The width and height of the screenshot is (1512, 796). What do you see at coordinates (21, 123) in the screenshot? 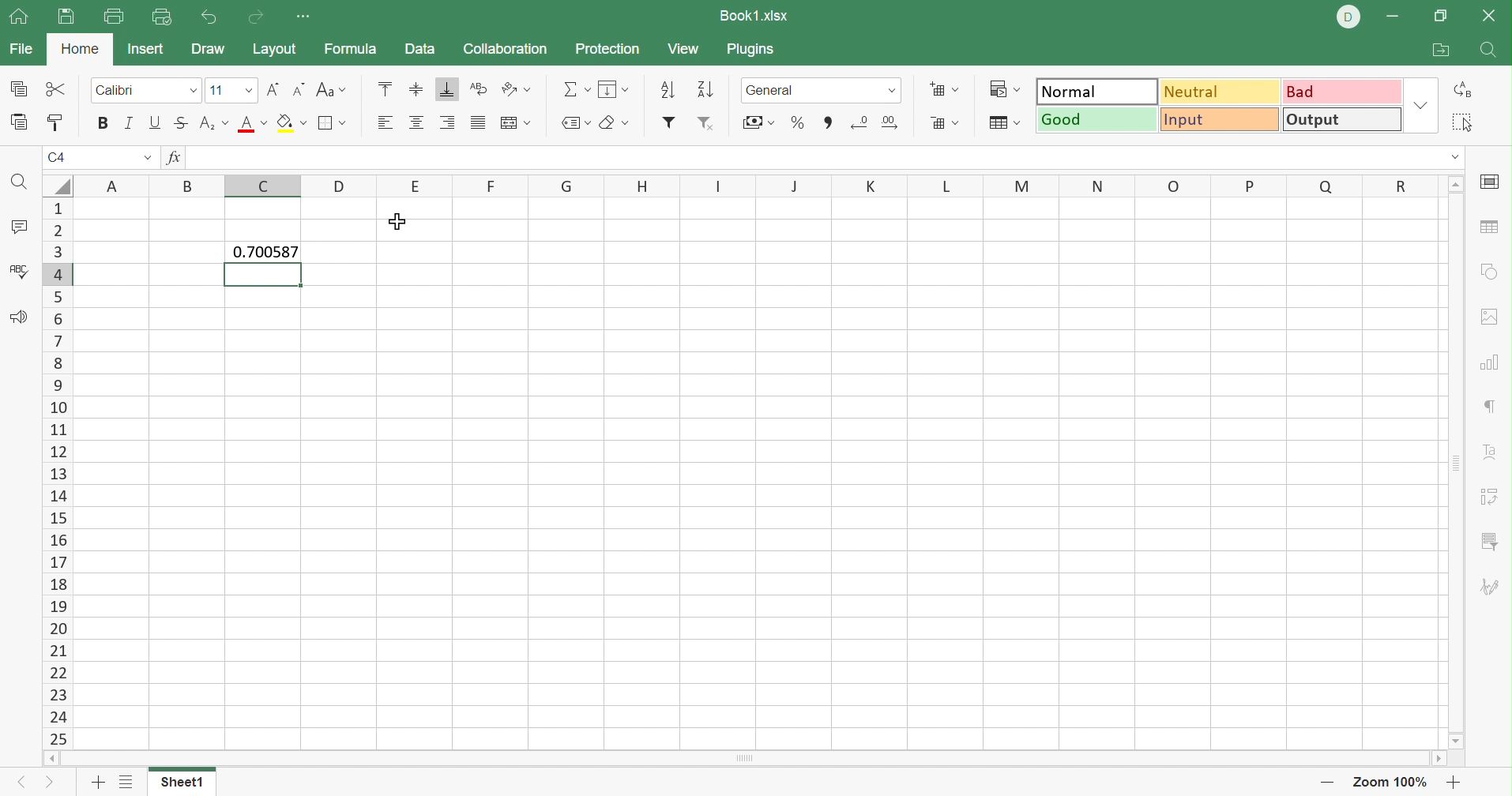
I see `Paste` at bounding box center [21, 123].